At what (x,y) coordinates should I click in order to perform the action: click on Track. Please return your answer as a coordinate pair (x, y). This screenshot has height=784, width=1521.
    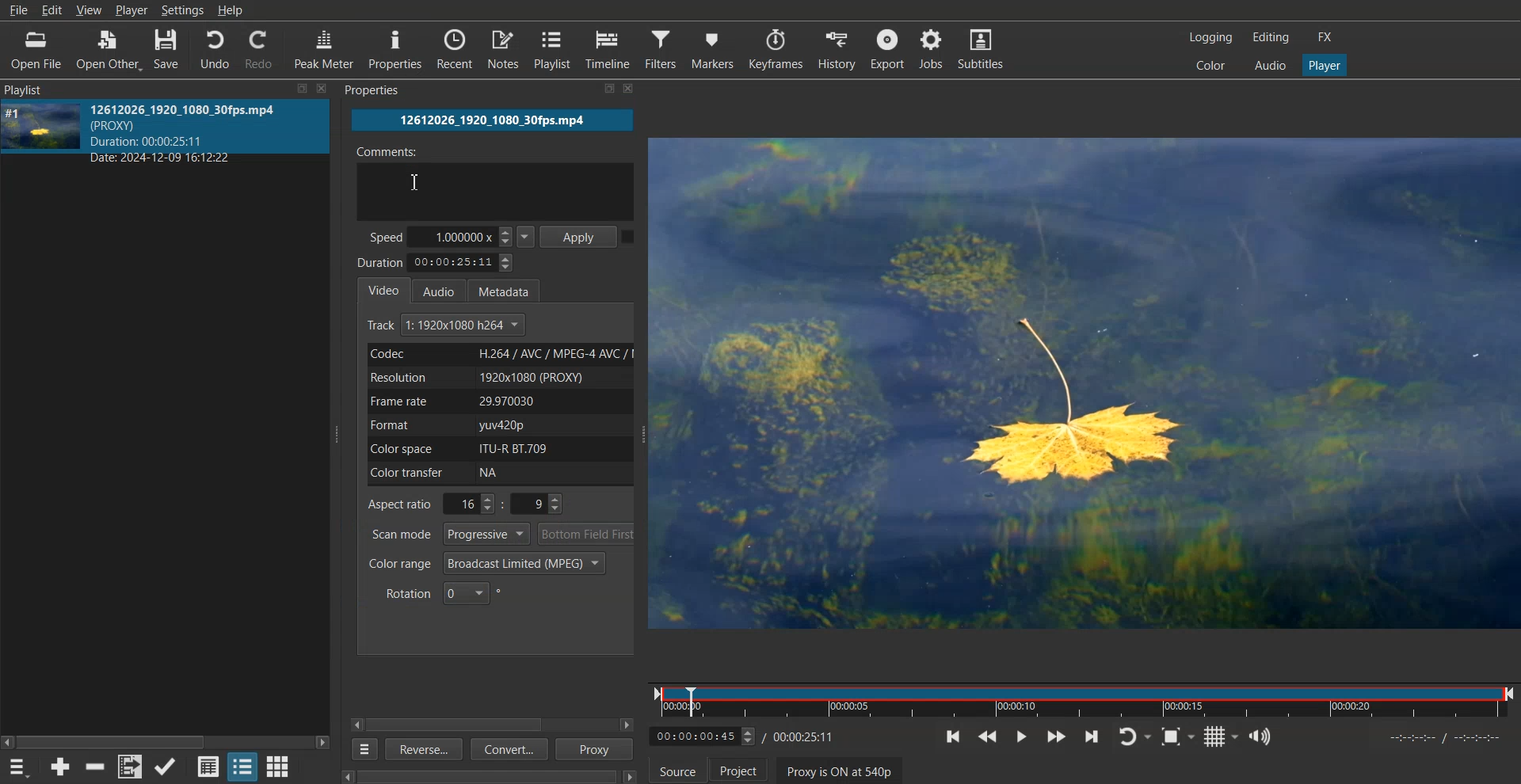
    Looking at the image, I should click on (448, 325).